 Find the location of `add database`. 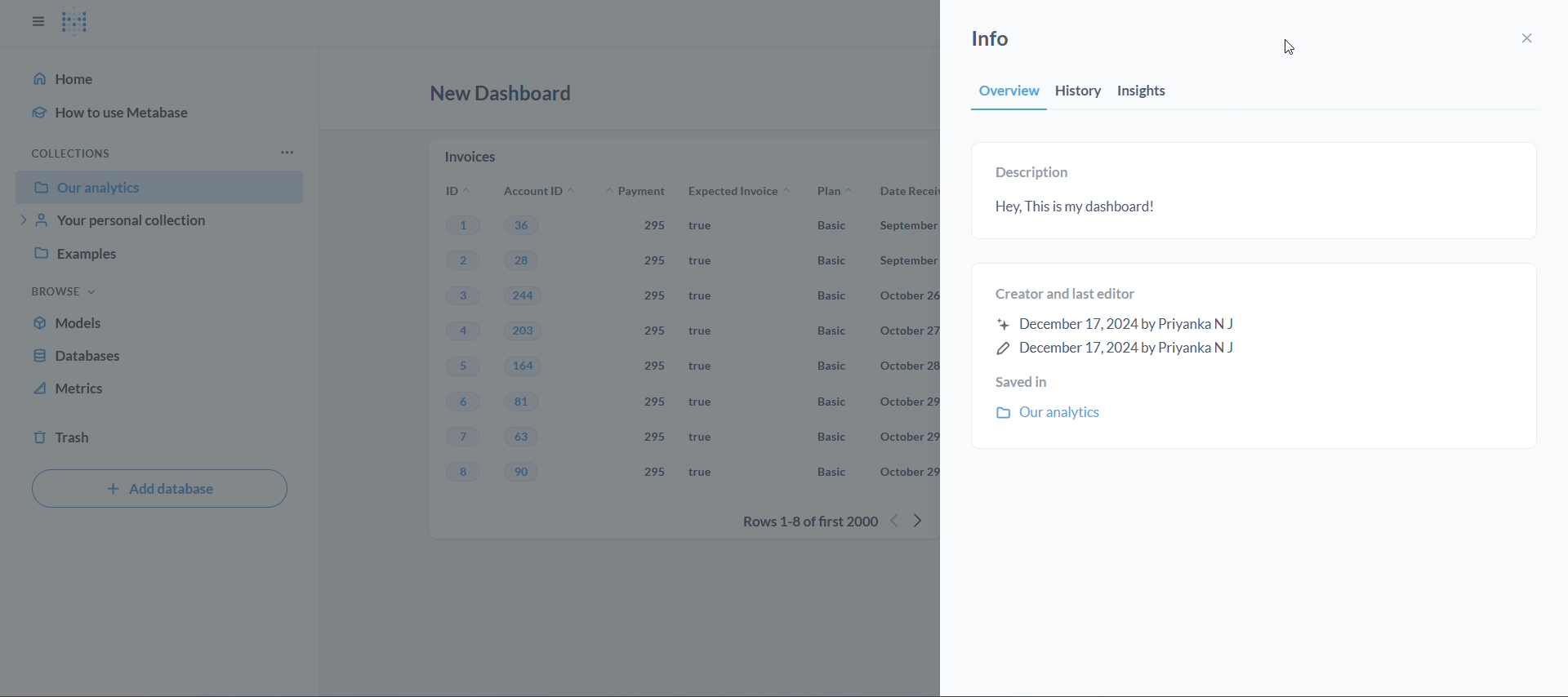

add database is located at coordinates (160, 489).